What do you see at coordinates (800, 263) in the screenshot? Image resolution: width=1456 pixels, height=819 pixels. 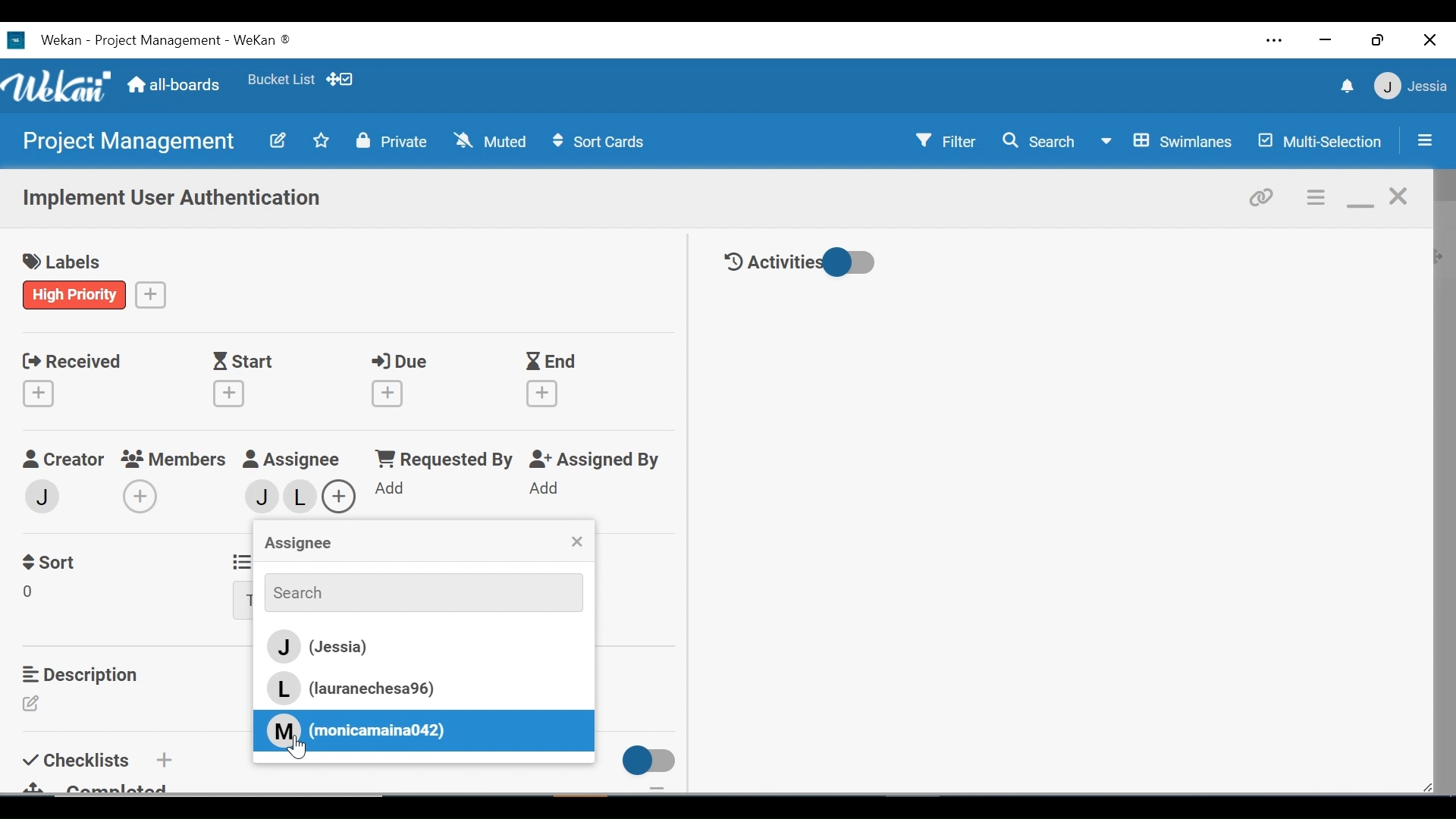 I see `Toggle Activities on/off` at bounding box center [800, 263].